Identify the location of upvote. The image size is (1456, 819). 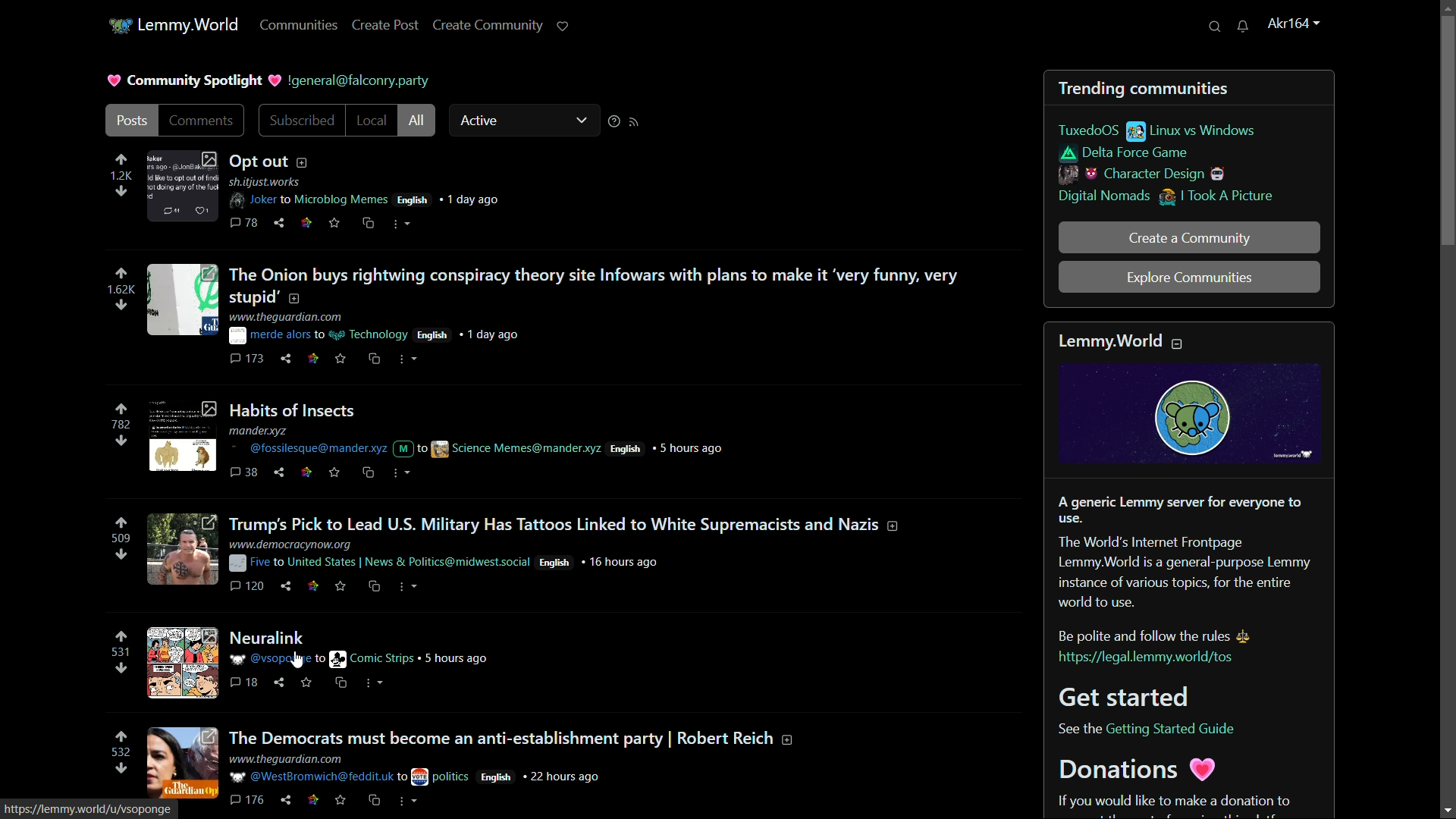
(121, 636).